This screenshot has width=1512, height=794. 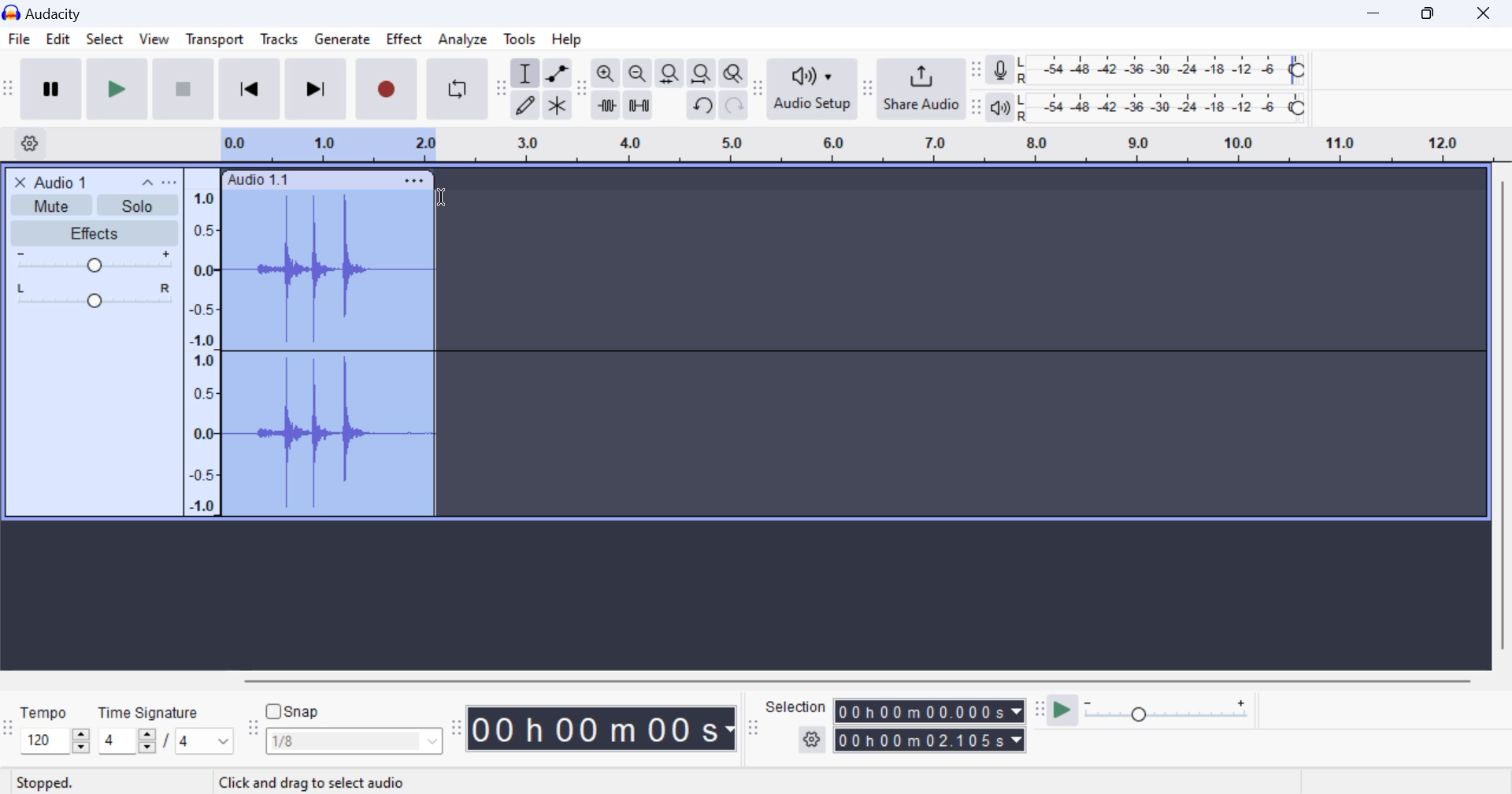 I want to click on Minimize, so click(x=1432, y=12).